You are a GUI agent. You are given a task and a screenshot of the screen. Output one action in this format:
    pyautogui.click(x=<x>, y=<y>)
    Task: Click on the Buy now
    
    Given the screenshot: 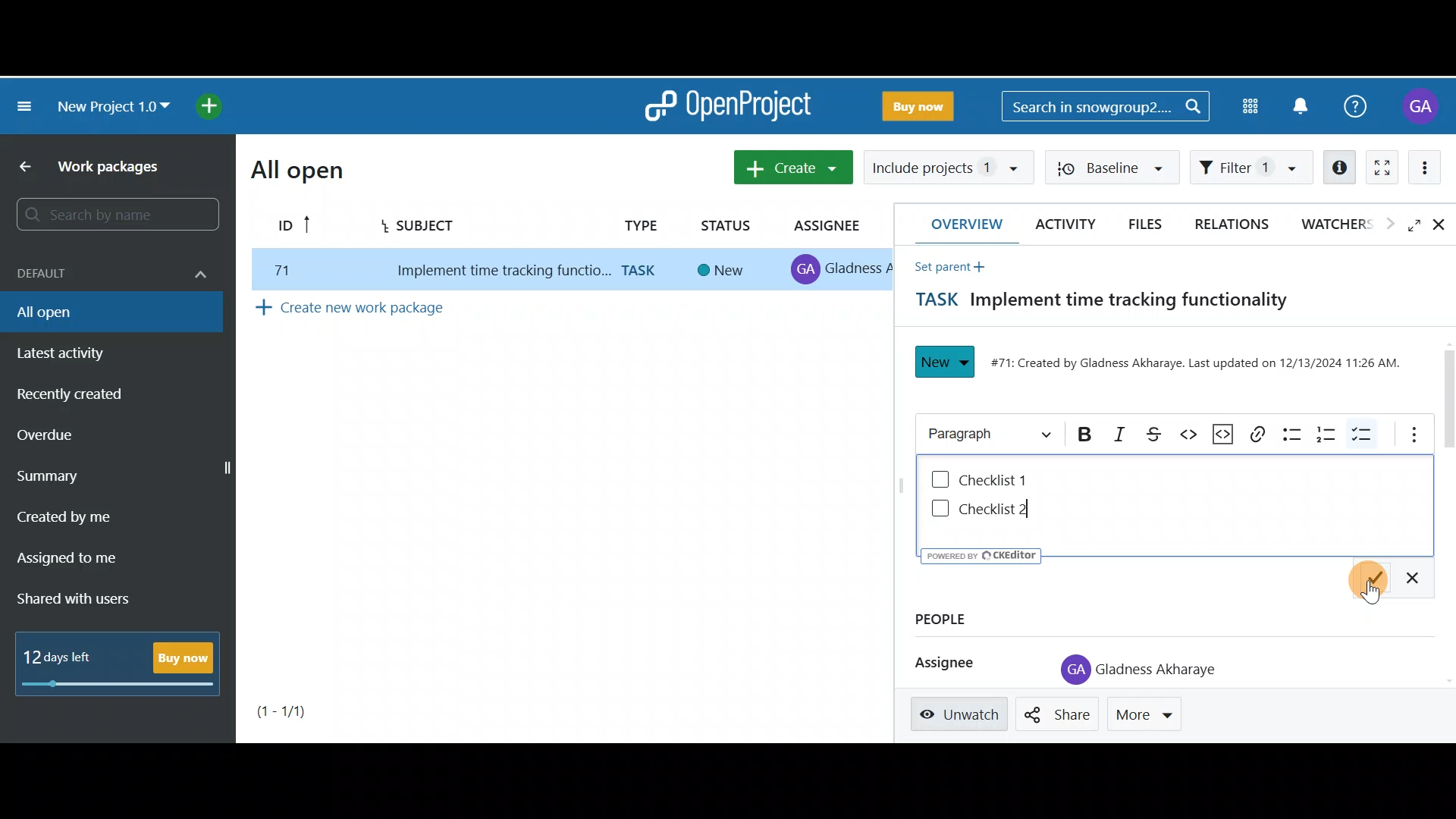 What is the action you would take?
    pyautogui.click(x=185, y=657)
    